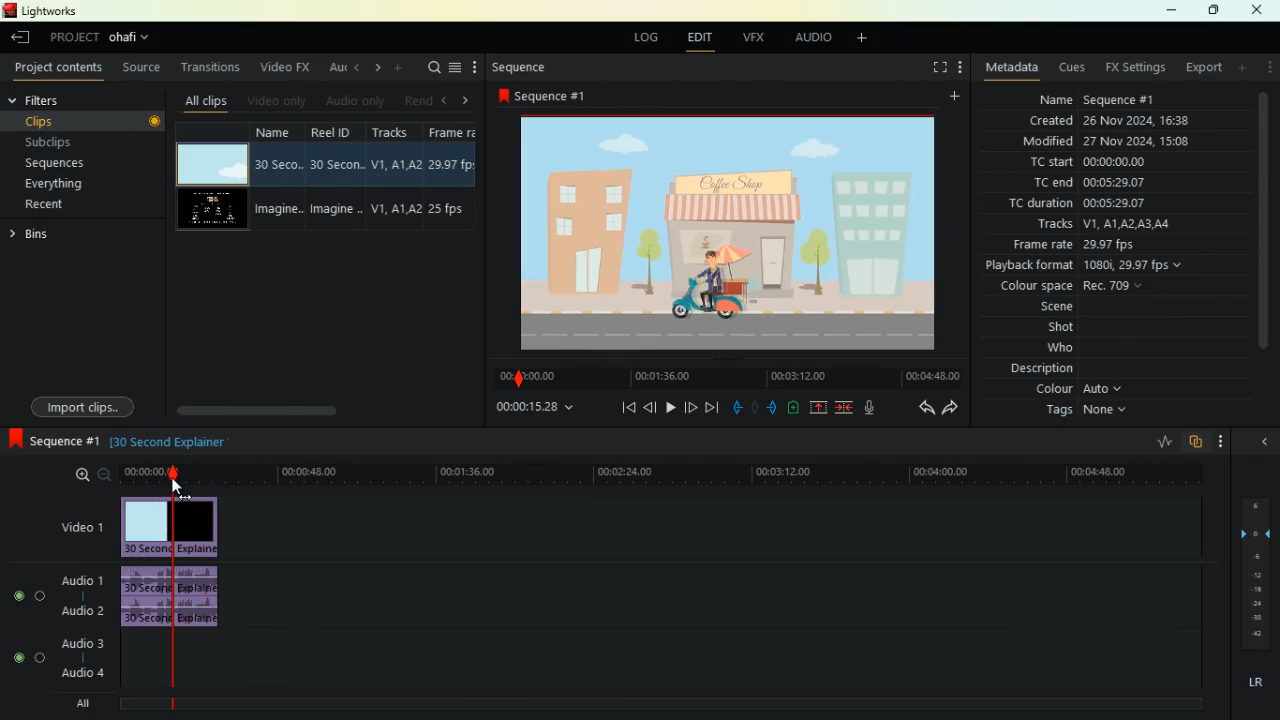 The width and height of the screenshot is (1280, 720). I want to click on maximize, so click(1215, 11).